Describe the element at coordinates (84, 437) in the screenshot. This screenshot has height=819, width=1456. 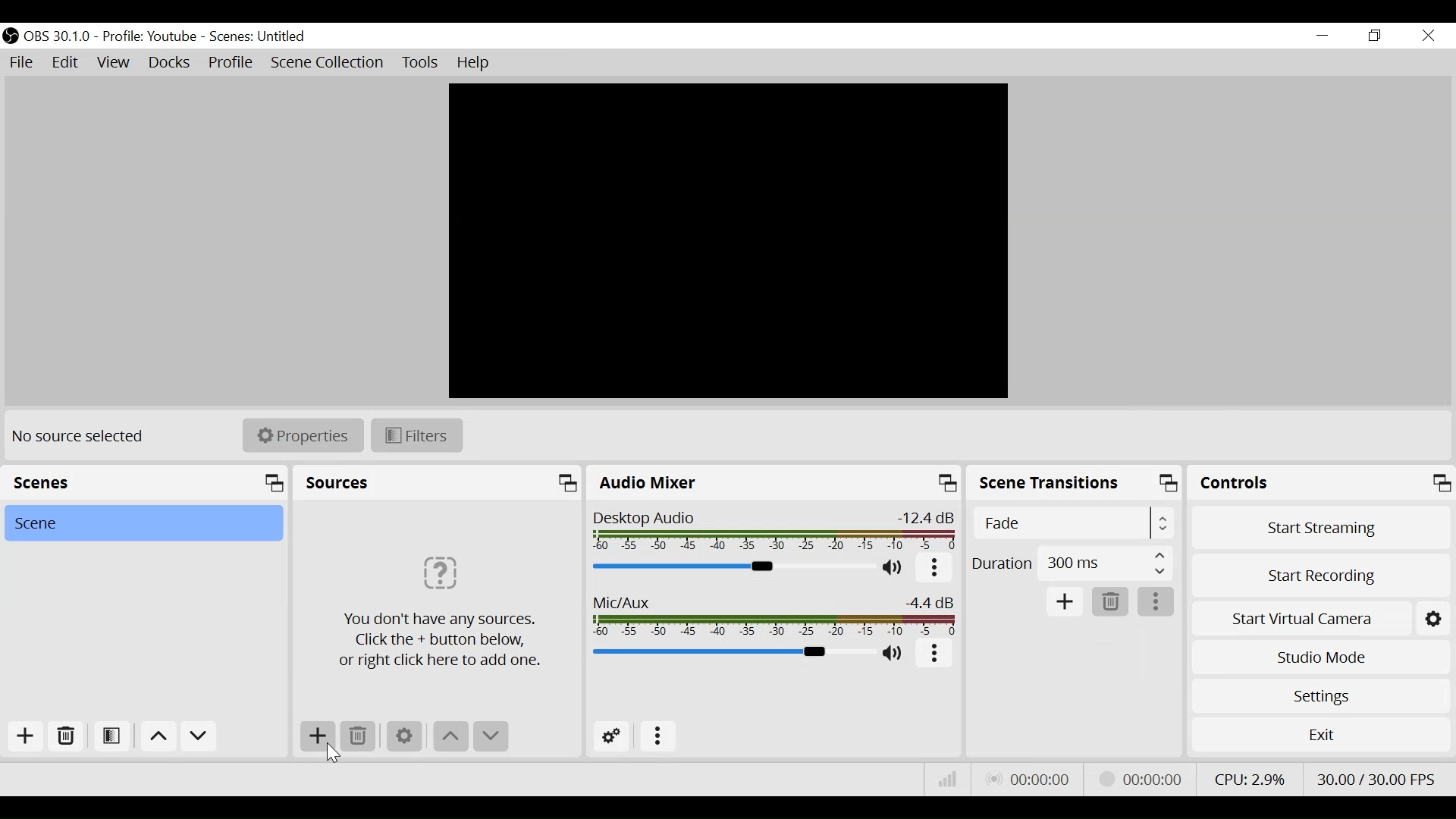
I see `No source selected` at that location.